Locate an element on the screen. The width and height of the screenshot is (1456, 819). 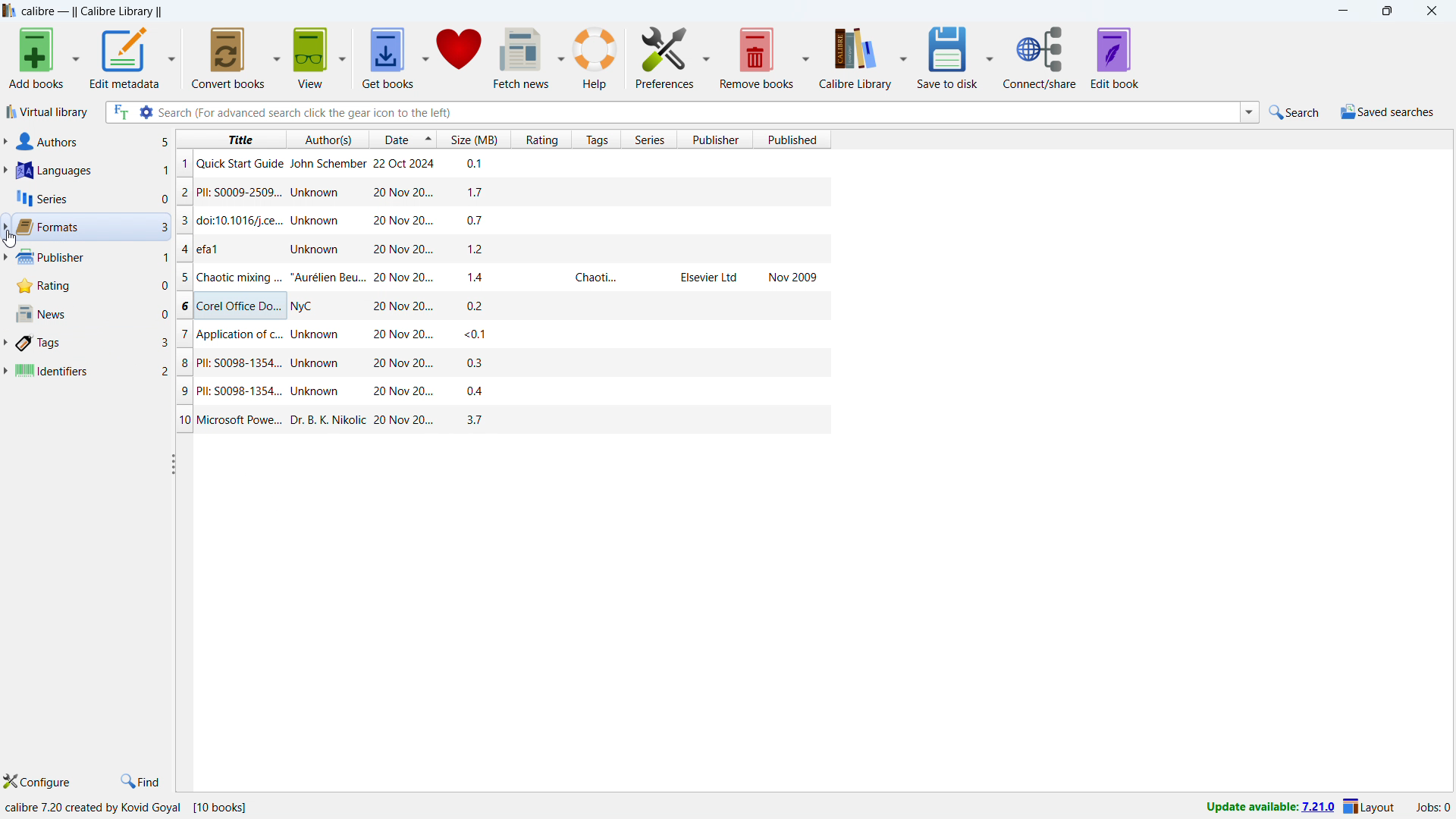
calibre library is located at coordinates (855, 58).